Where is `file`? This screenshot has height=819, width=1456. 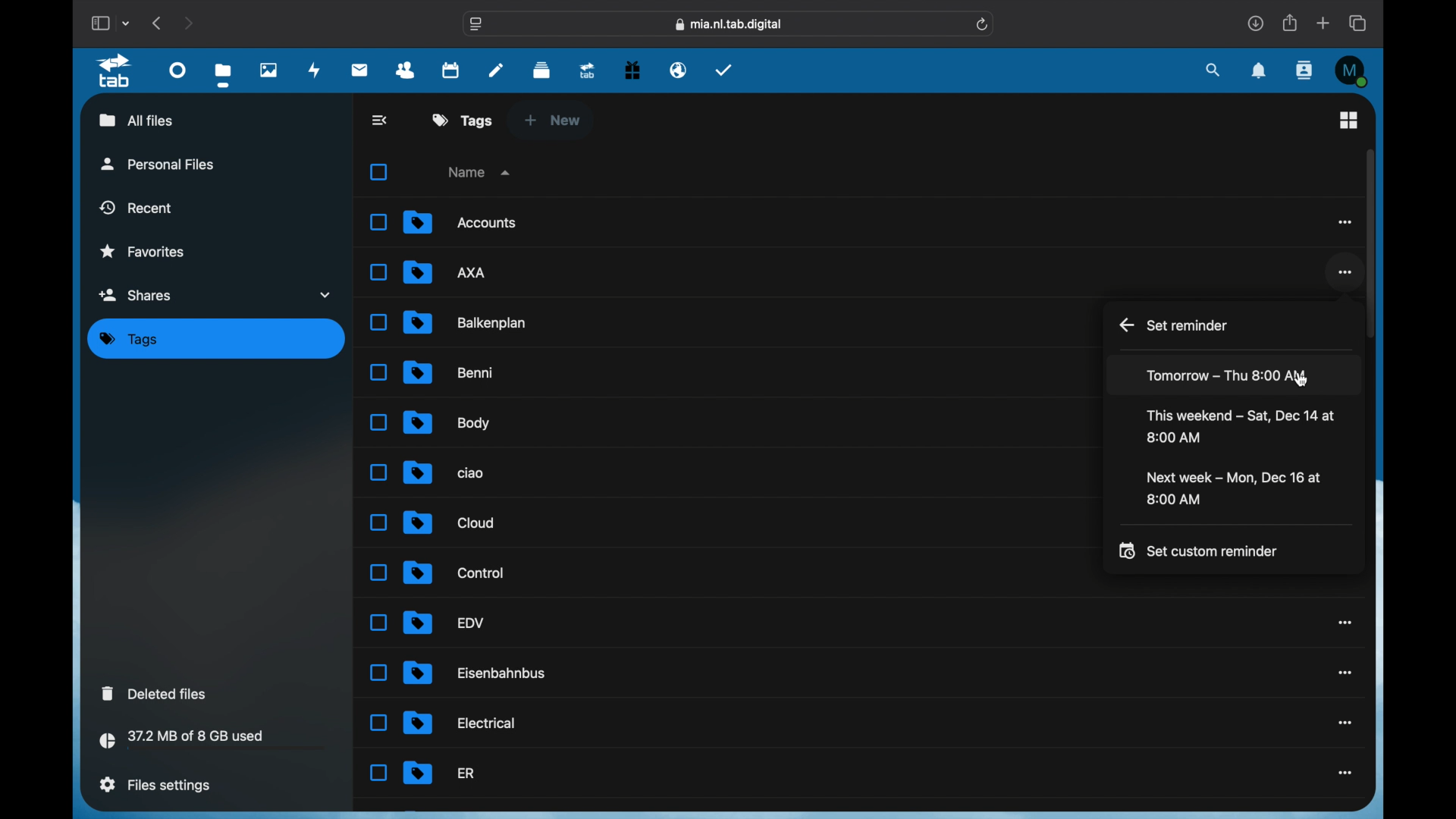
file is located at coordinates (444, 471).